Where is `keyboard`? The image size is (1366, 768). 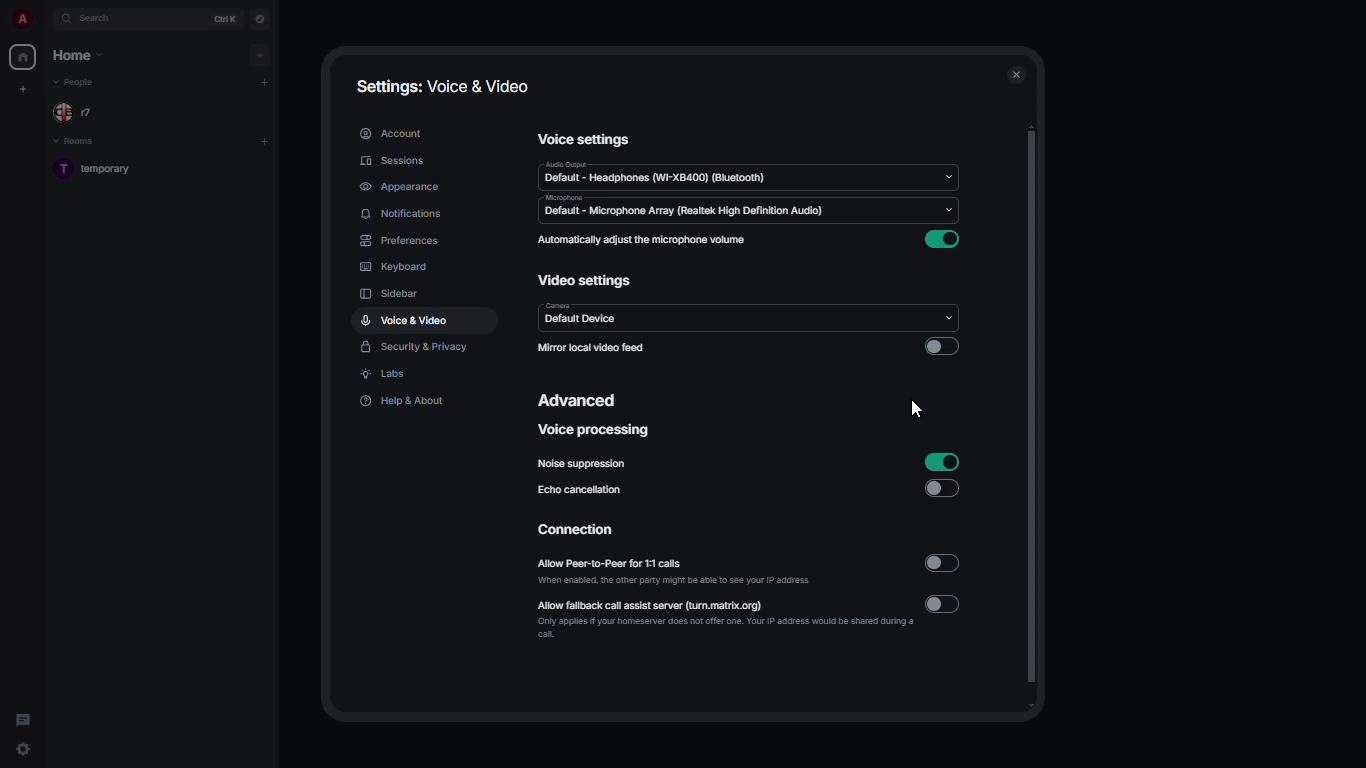
keyboard is located at coordinates (392, 268).